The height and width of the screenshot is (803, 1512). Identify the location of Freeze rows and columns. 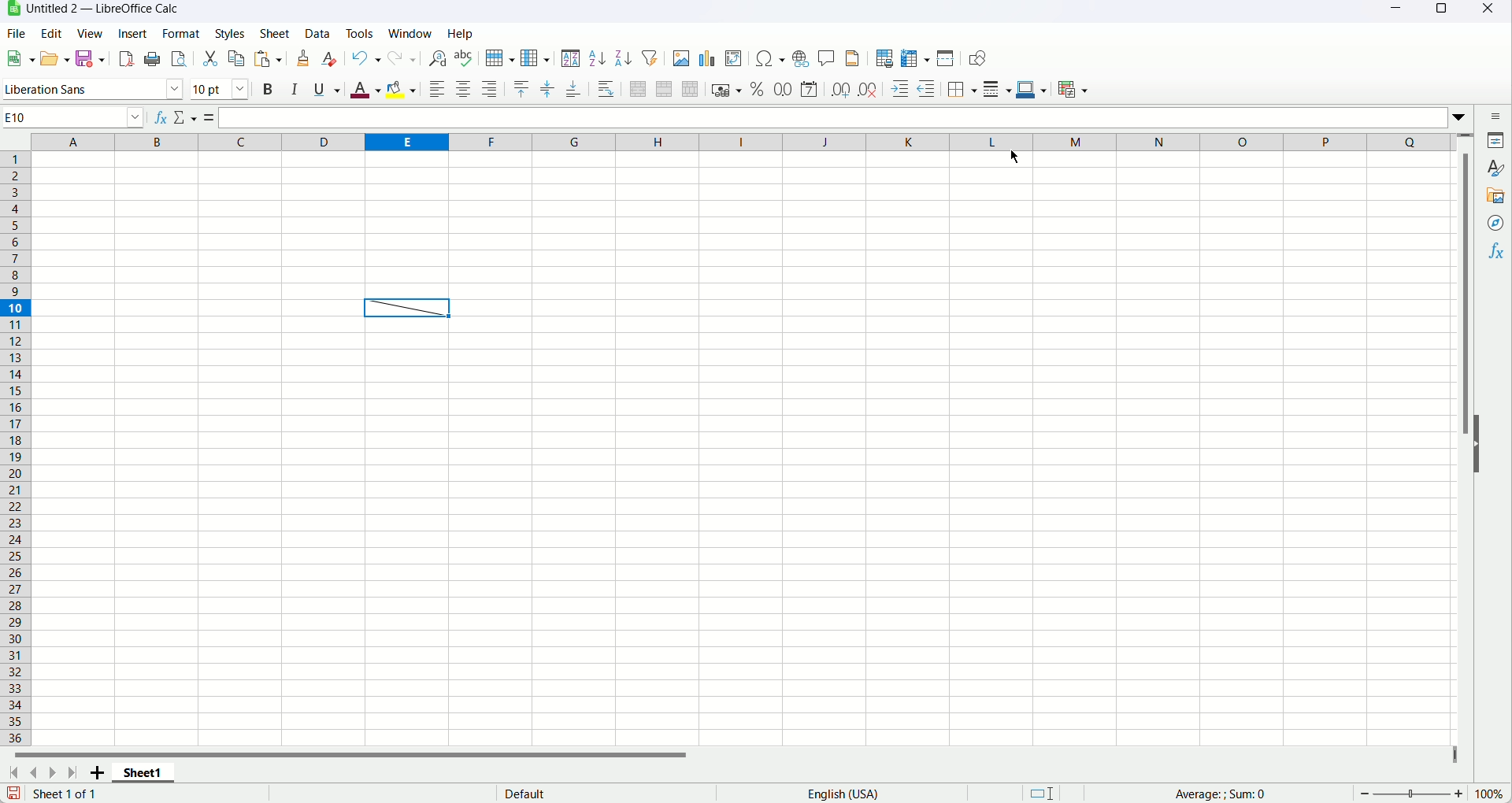
(916, 57).